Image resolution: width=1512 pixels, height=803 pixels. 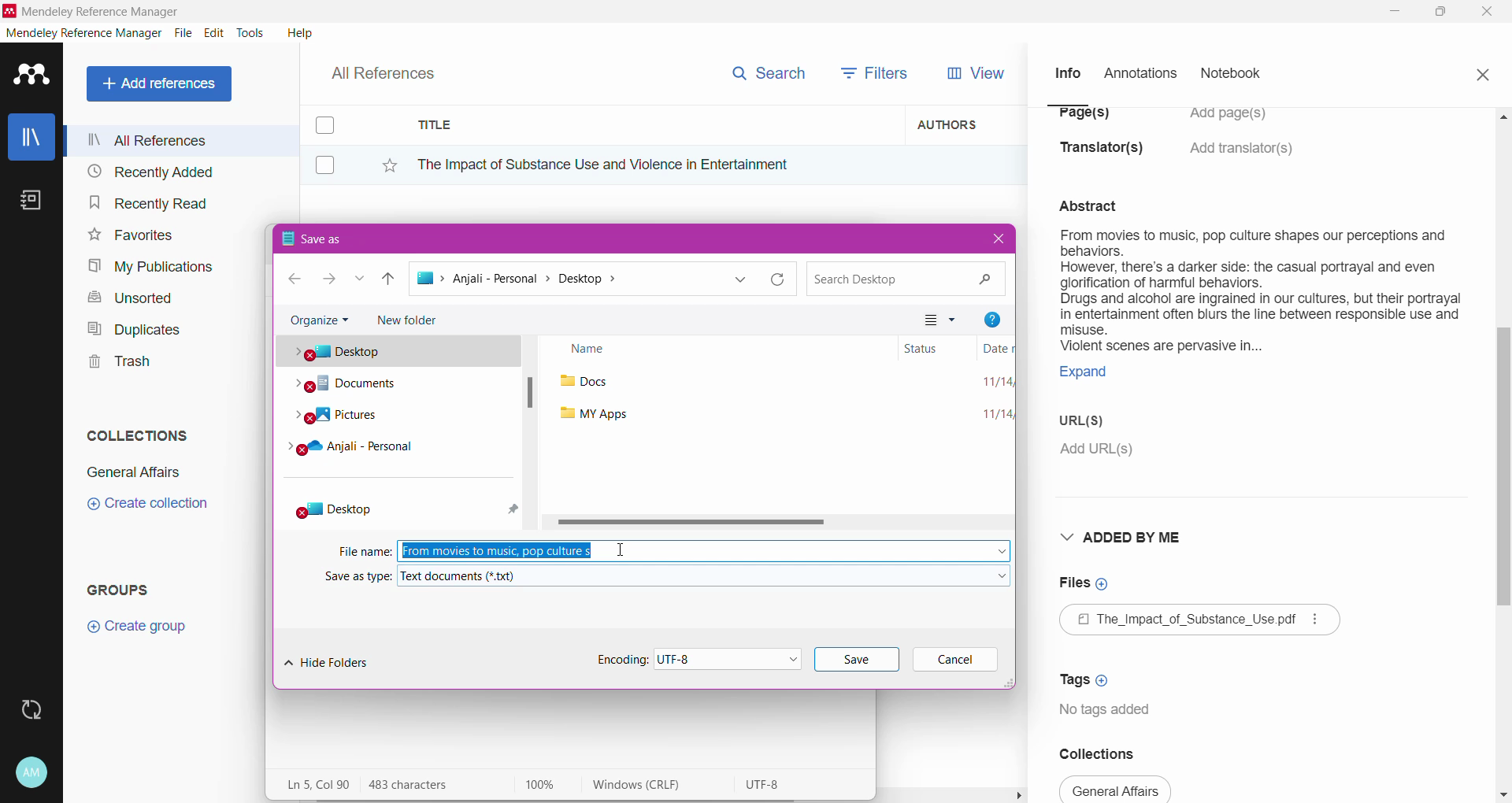 I want to click on Hide Folders, so click(x=332, y=661).